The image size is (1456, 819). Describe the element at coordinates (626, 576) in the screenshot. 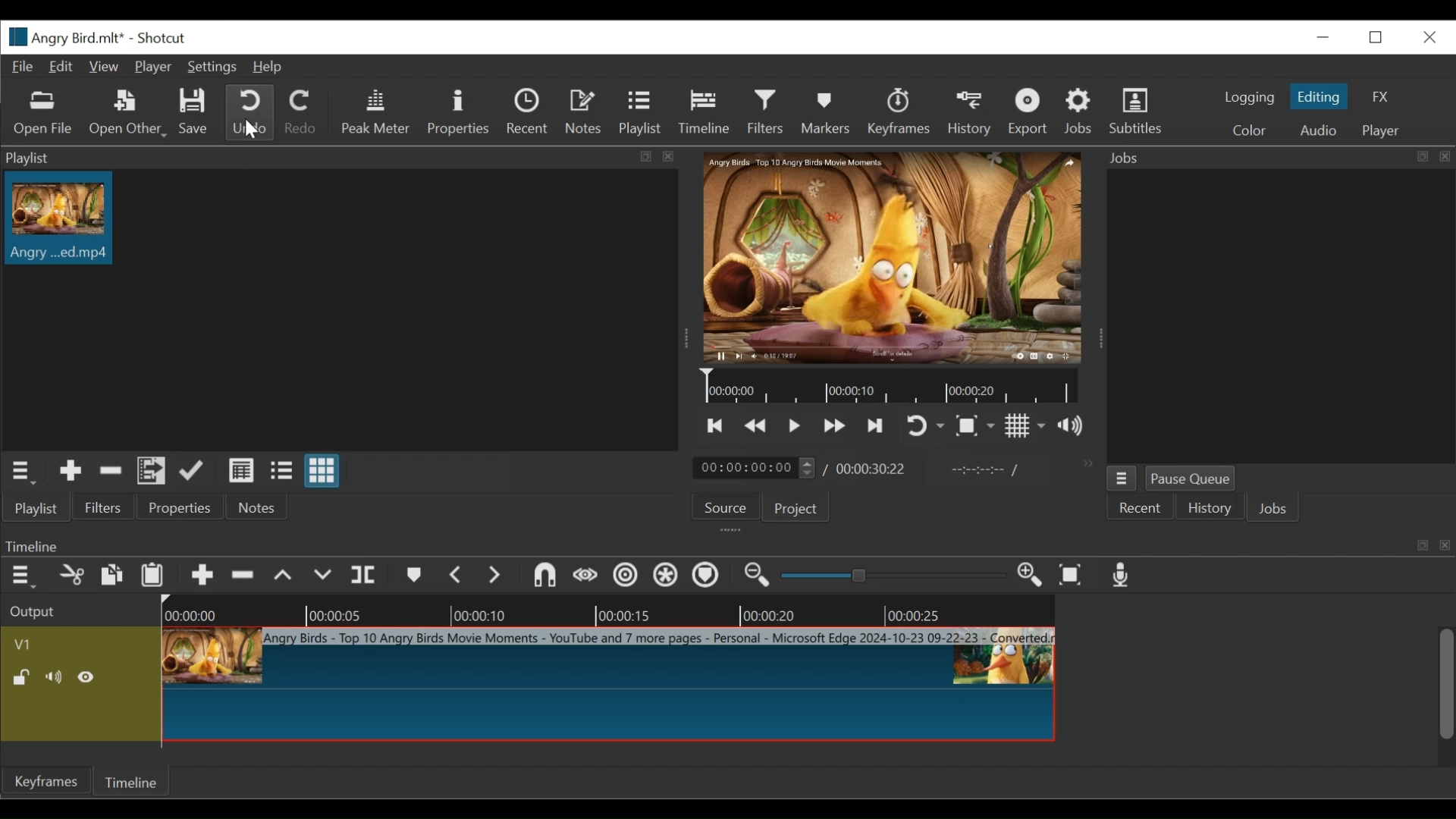

I see `Ripple` at that location.